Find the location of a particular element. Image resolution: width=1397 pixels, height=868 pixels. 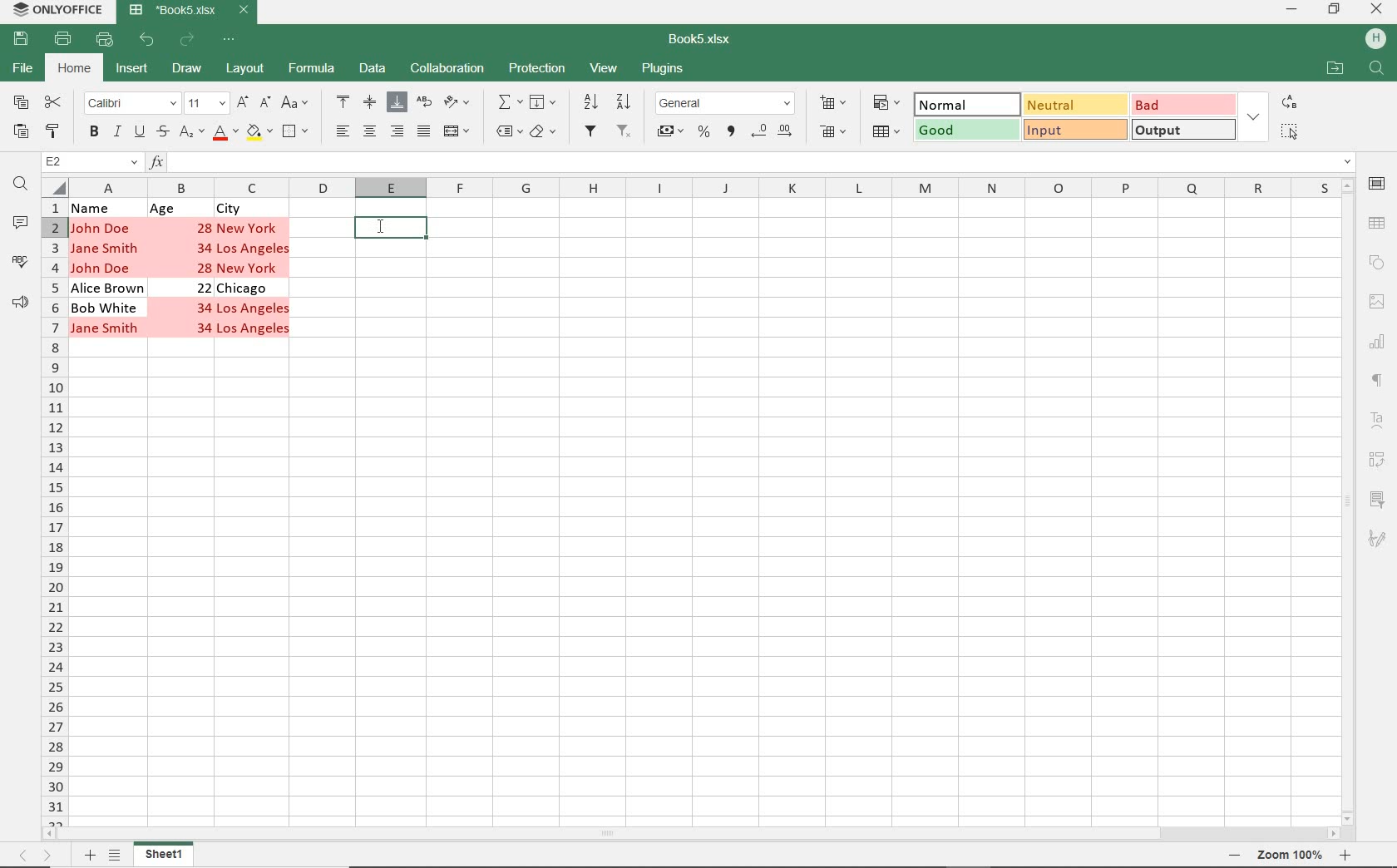

FILL is located at coordinates (543, 101).